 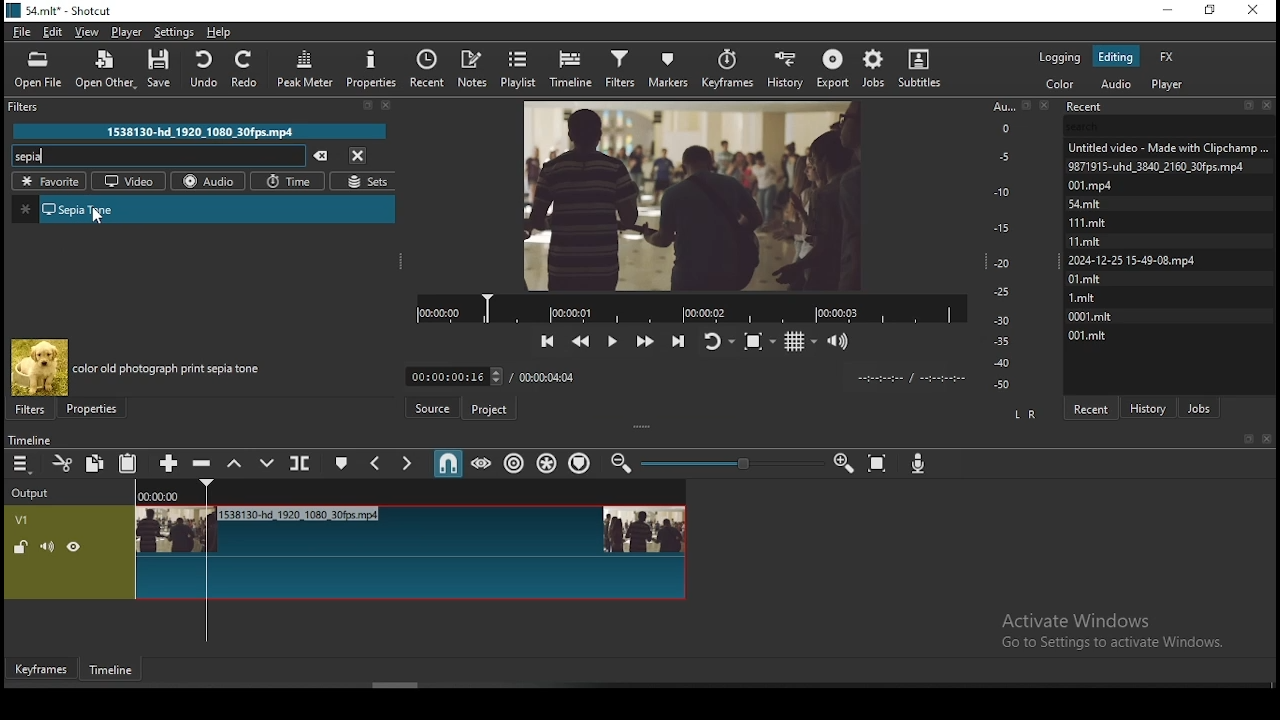 What do you see at coordinates (401, 686) in the screenshot?
I see `scroll bar` at bounding box center [401, 686].